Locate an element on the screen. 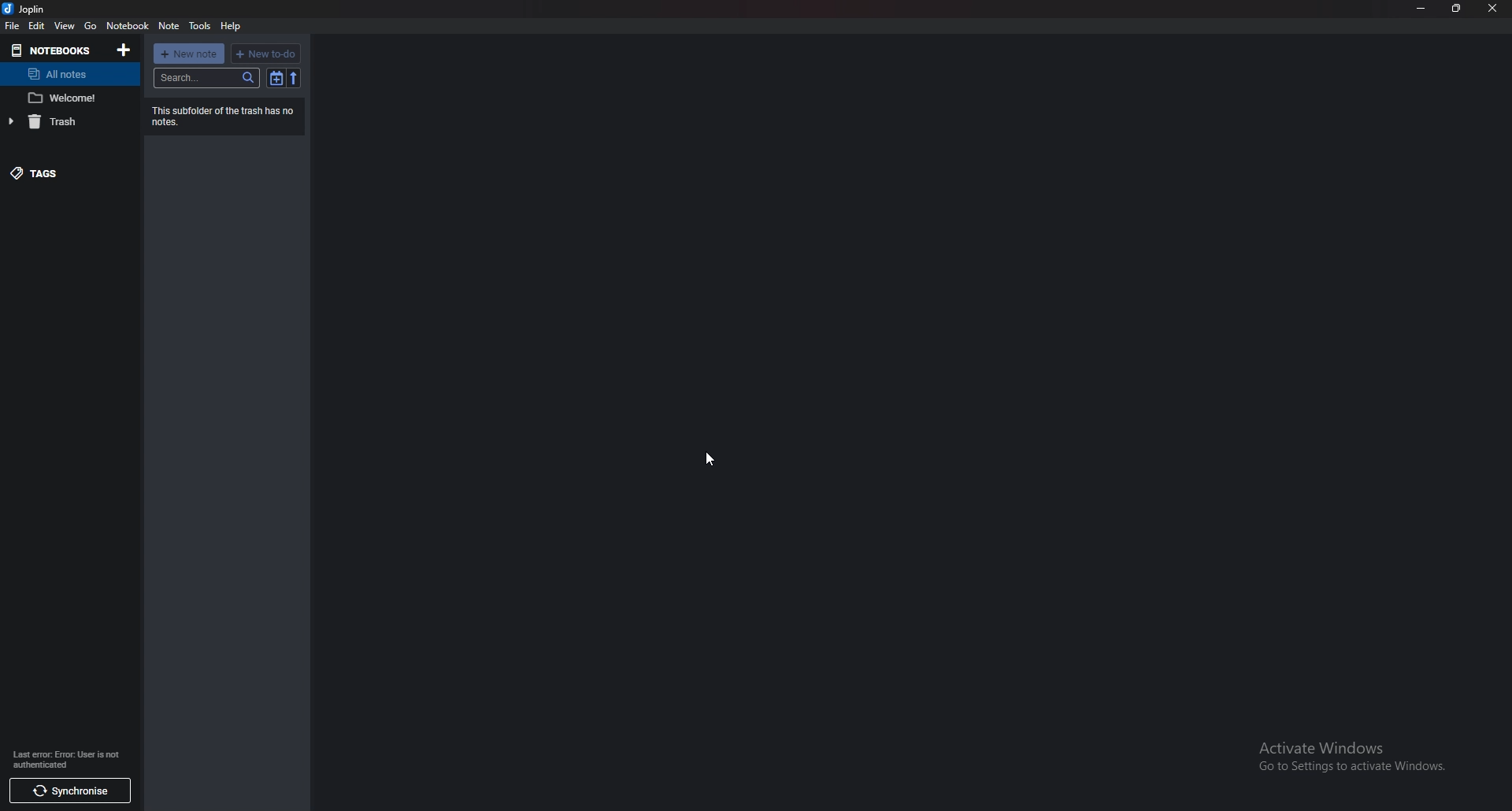 This screenshot has width=1512, height=811. tools is located at coordinates (202, 25).